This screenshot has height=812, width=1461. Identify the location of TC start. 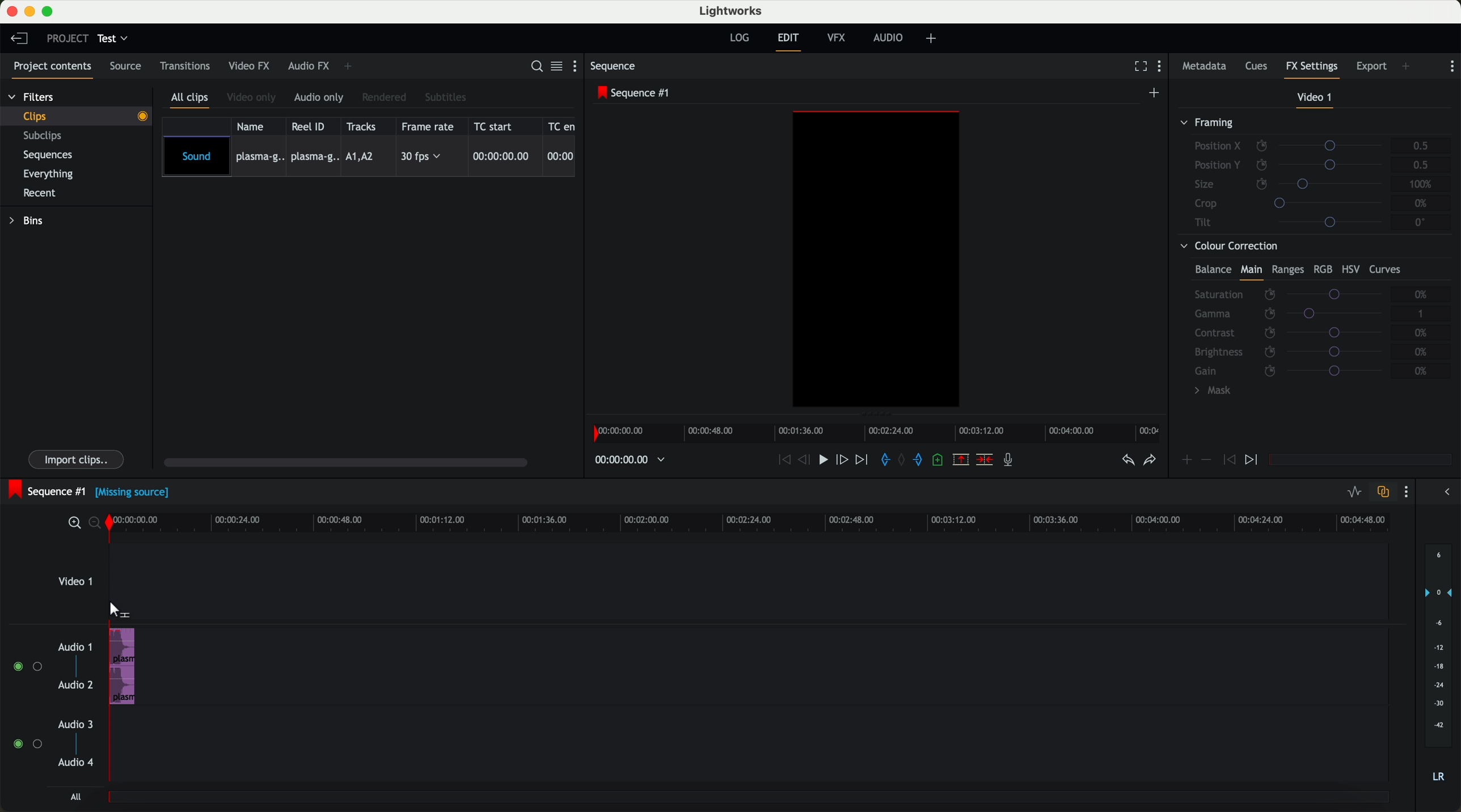
(498, 126).